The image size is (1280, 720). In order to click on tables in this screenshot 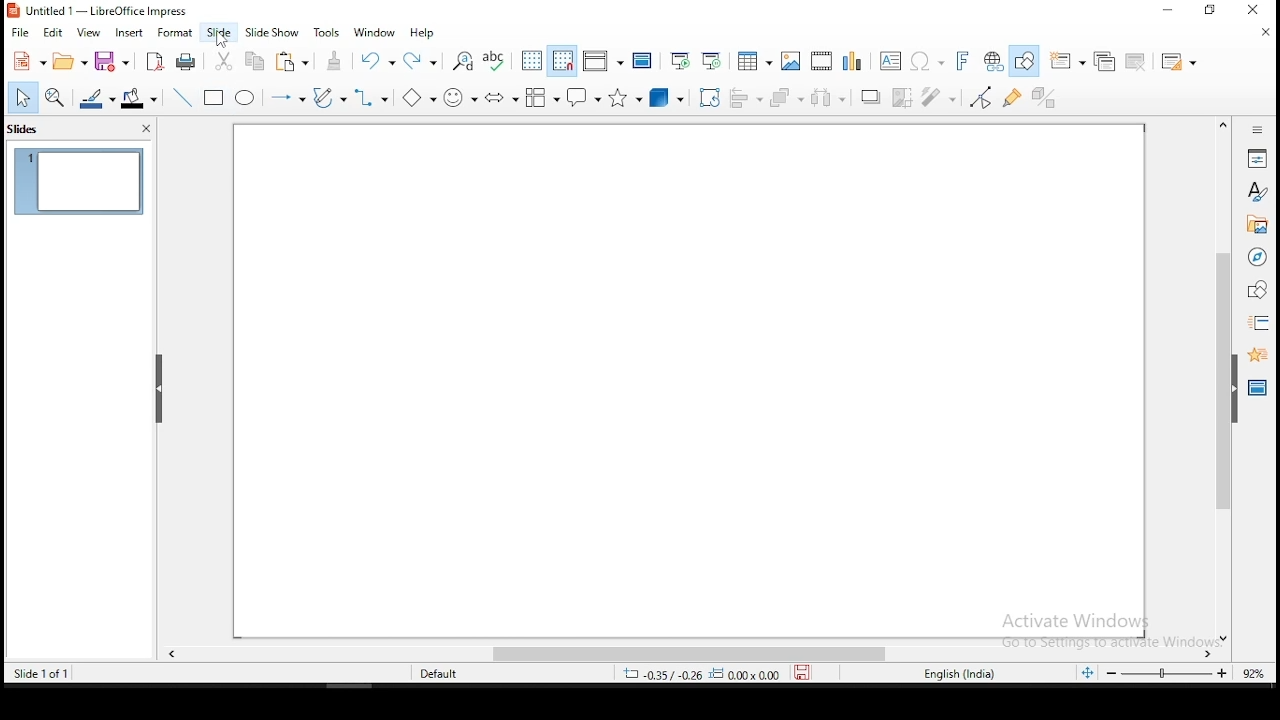, I will do `click(754, 59)`.